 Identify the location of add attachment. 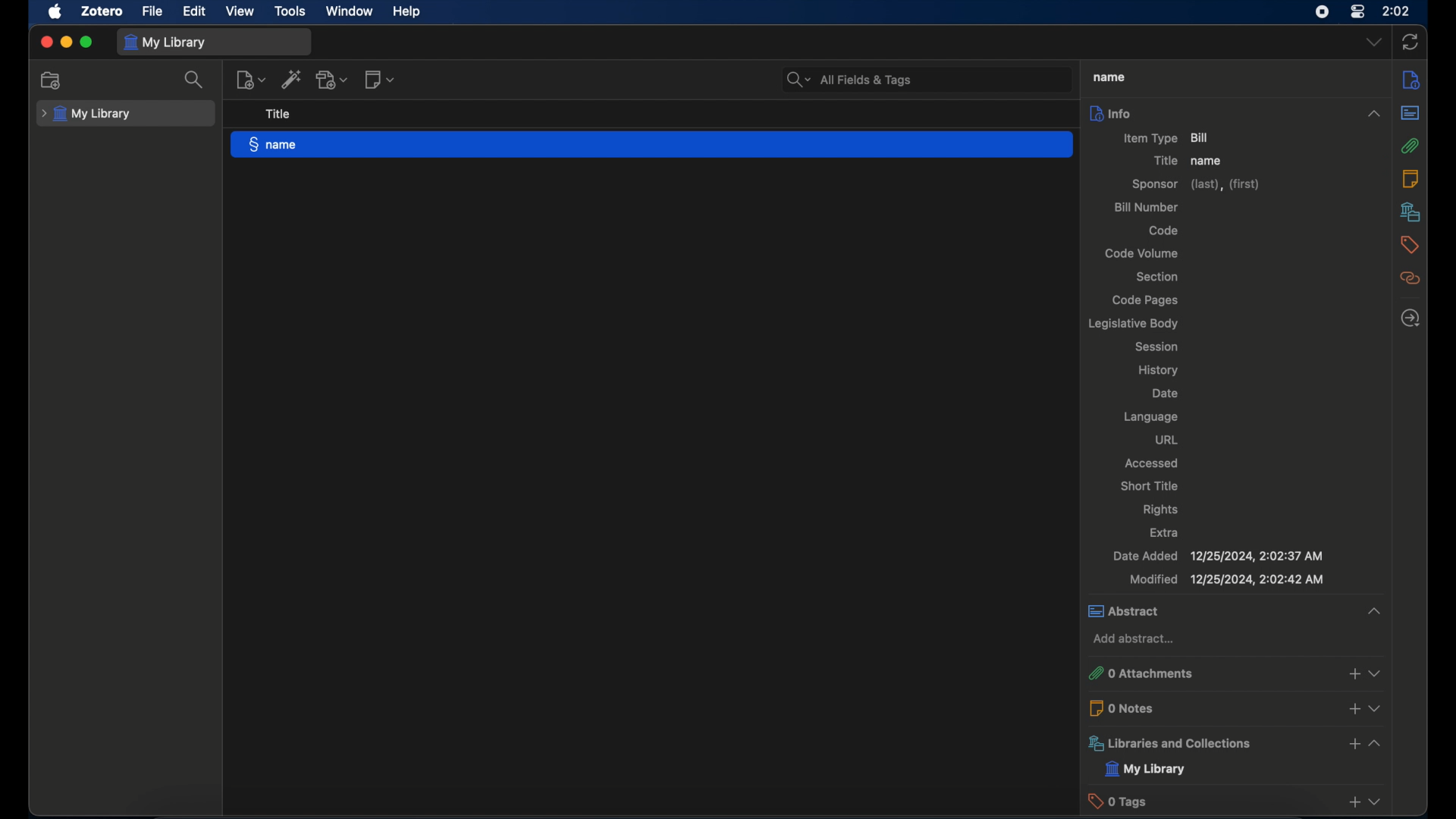
(333, 79).